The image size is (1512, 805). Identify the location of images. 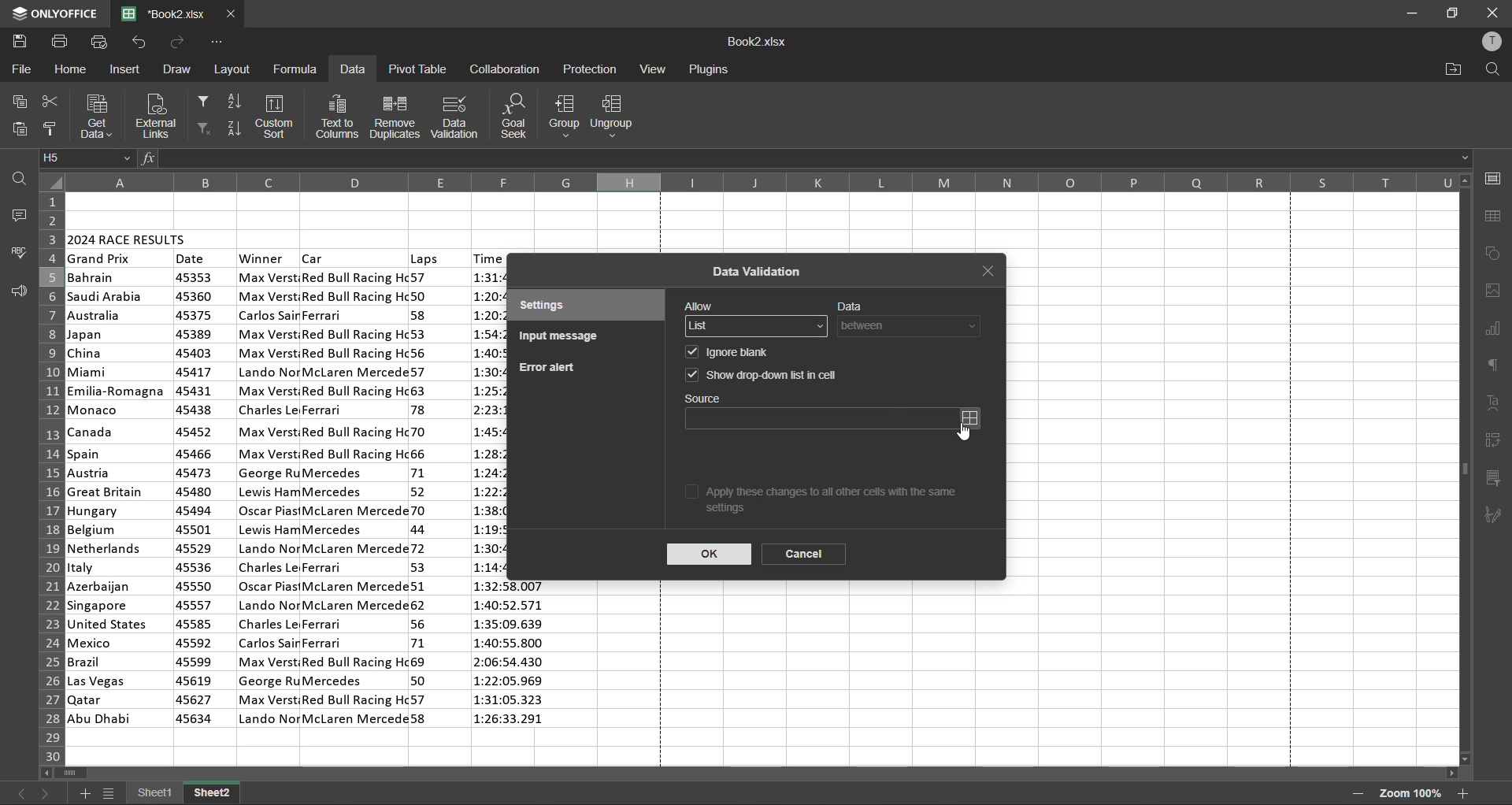
(1494, 291).